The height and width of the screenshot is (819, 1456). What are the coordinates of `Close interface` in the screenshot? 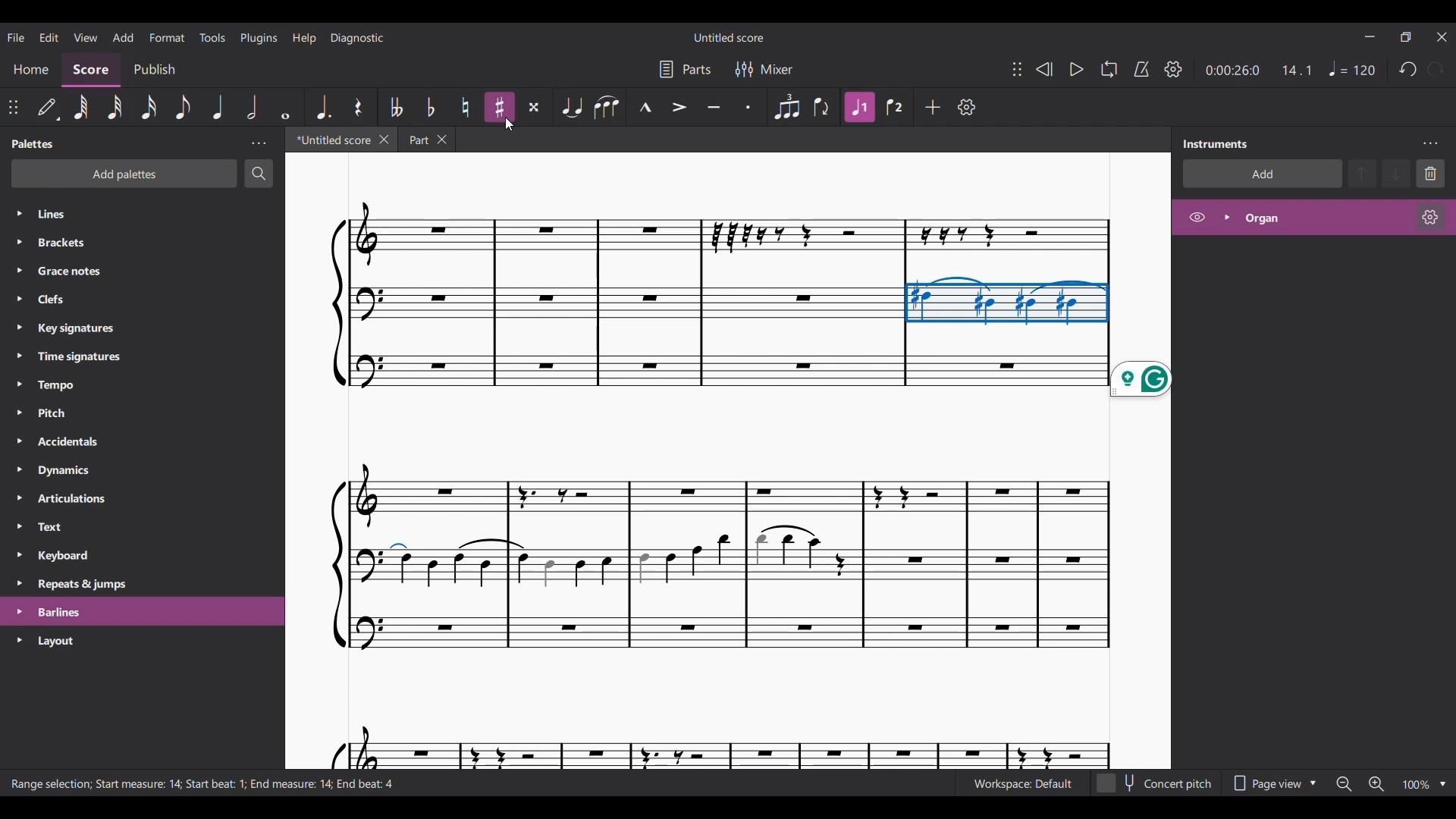 It's located at (1442, 36).